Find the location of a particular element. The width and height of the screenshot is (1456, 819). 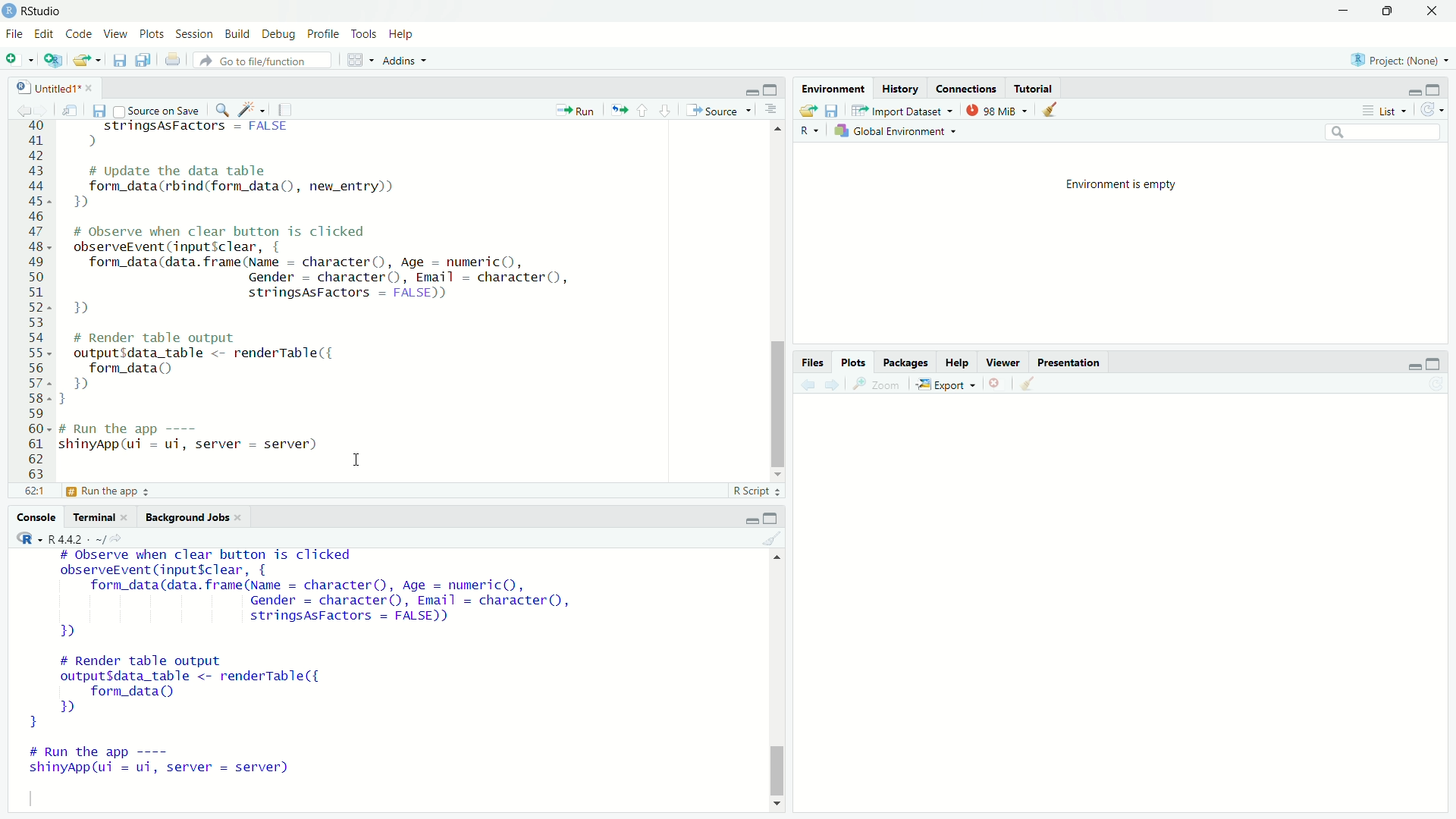

environment is empty is located at coordinates (1110, 183).